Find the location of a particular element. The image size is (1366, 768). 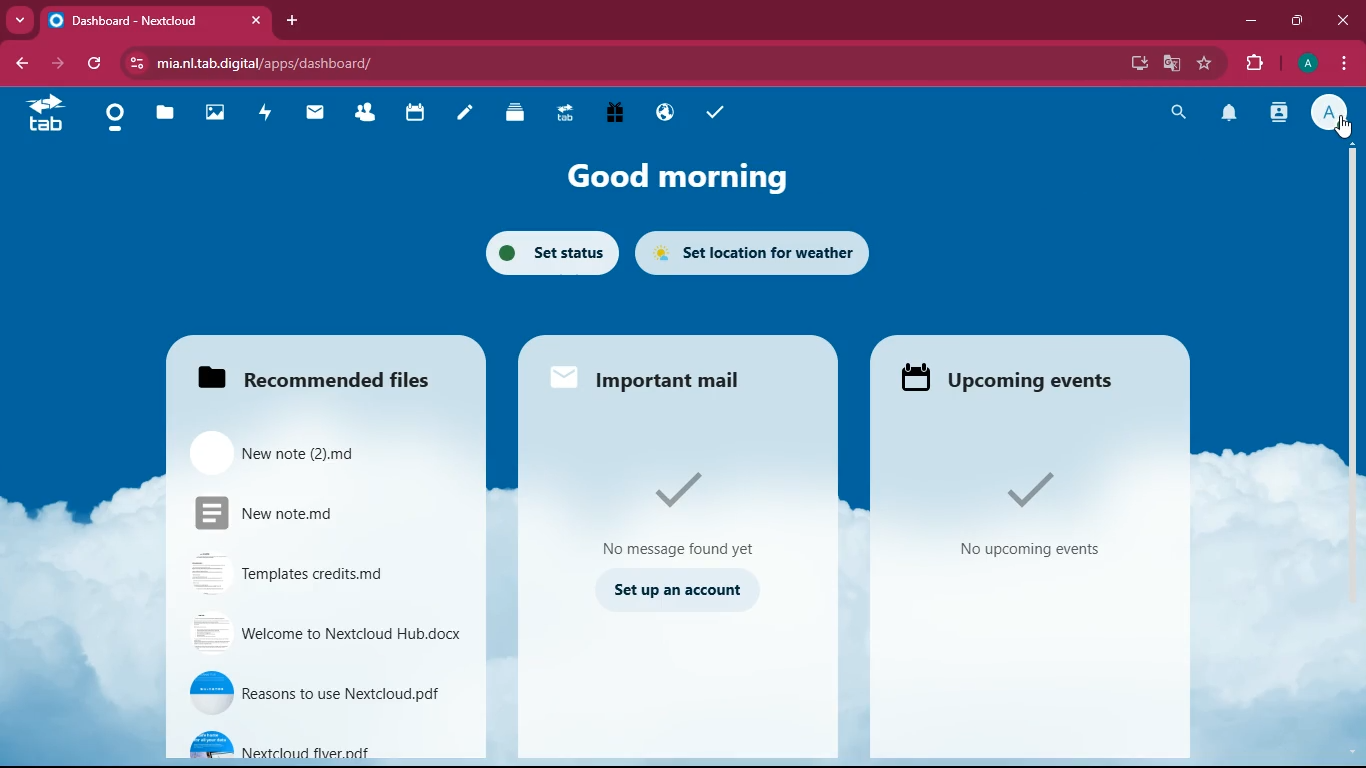

set up an account is located at coordinates (681, 591).